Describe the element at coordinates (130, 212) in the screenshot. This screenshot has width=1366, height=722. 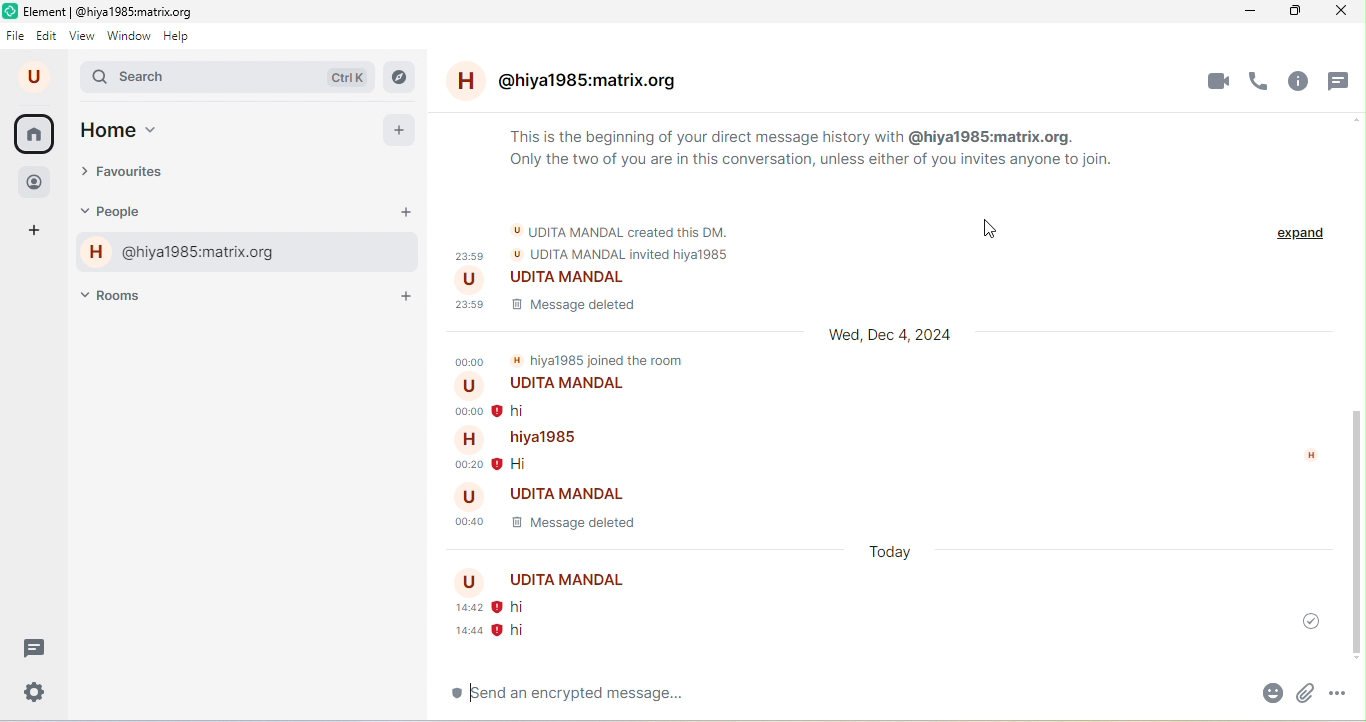
I see `people` at that location.